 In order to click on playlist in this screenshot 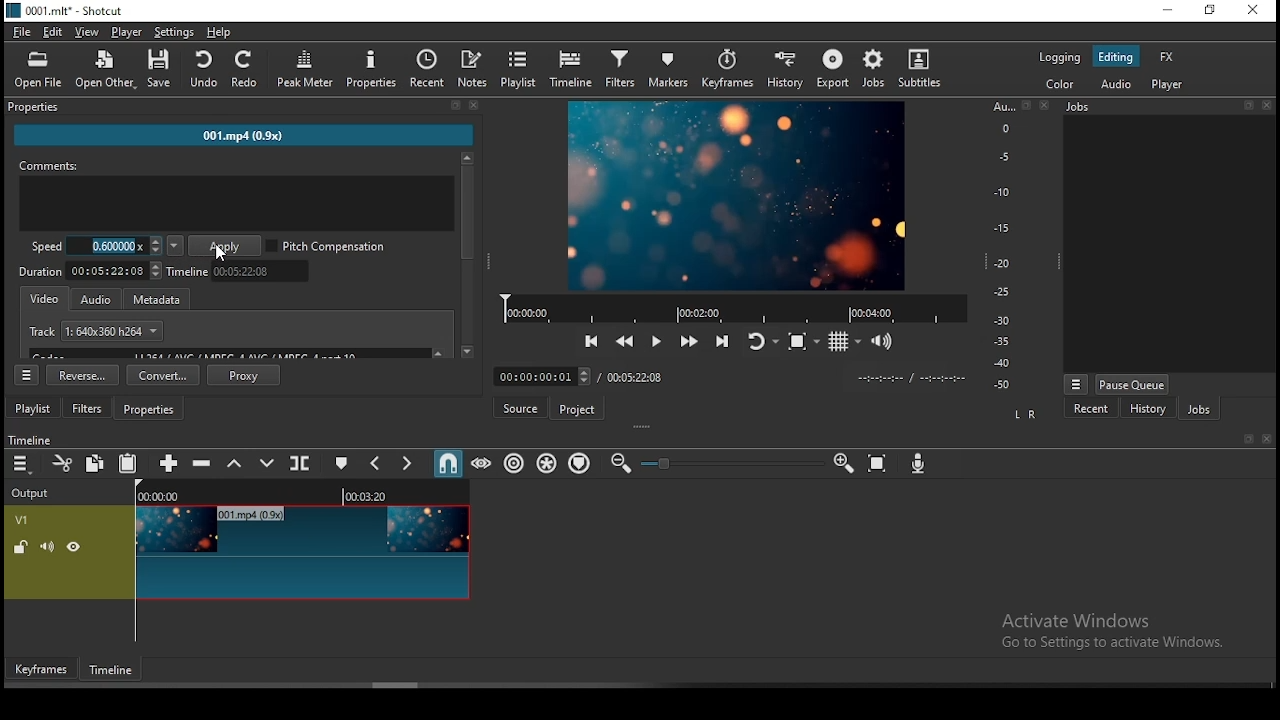, I will do `click(34, 407)`.